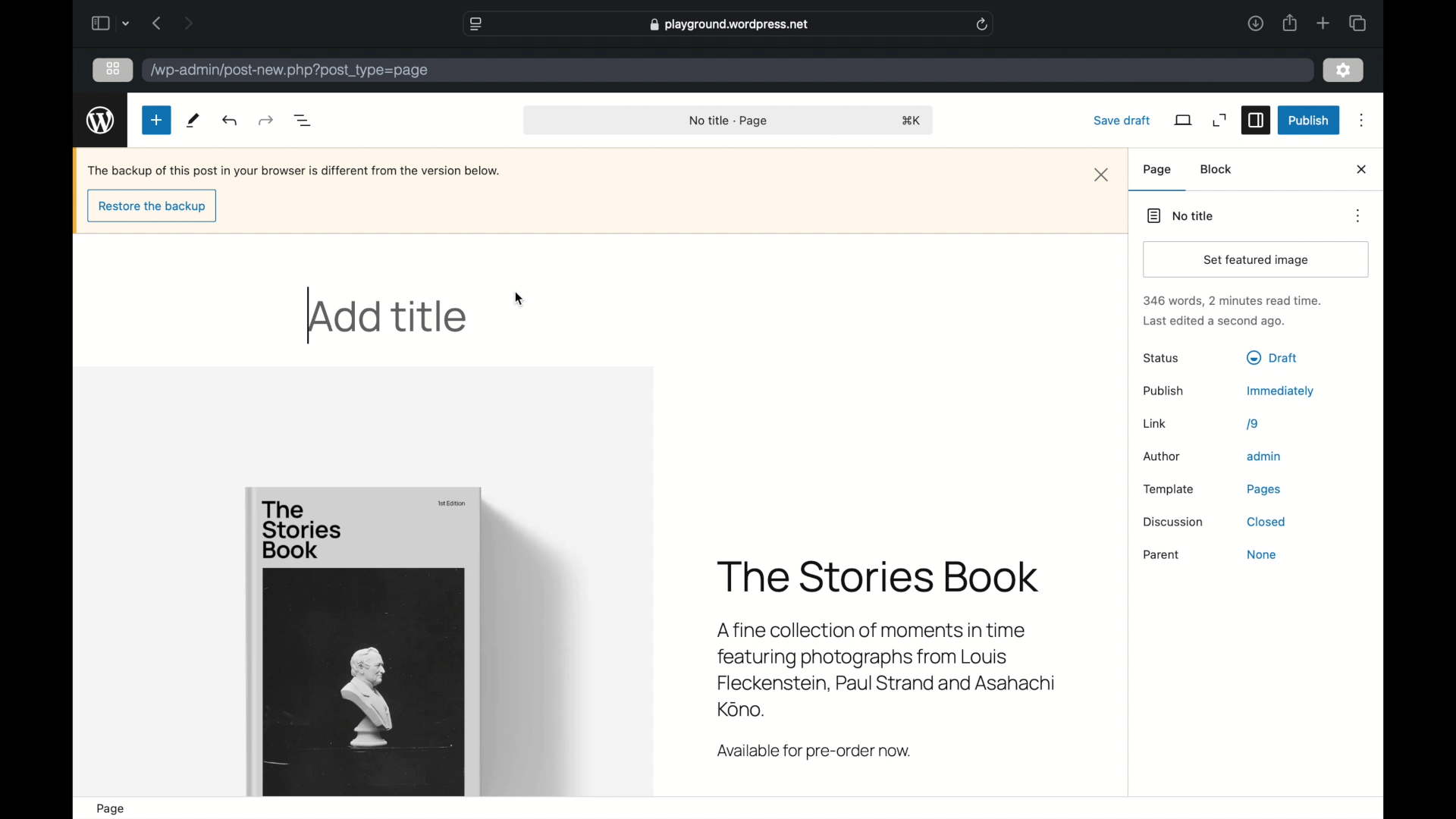  What do you see at coordinates (476, 24) in the screenshot?
I see `website settings` at bounding box center [476, 24].